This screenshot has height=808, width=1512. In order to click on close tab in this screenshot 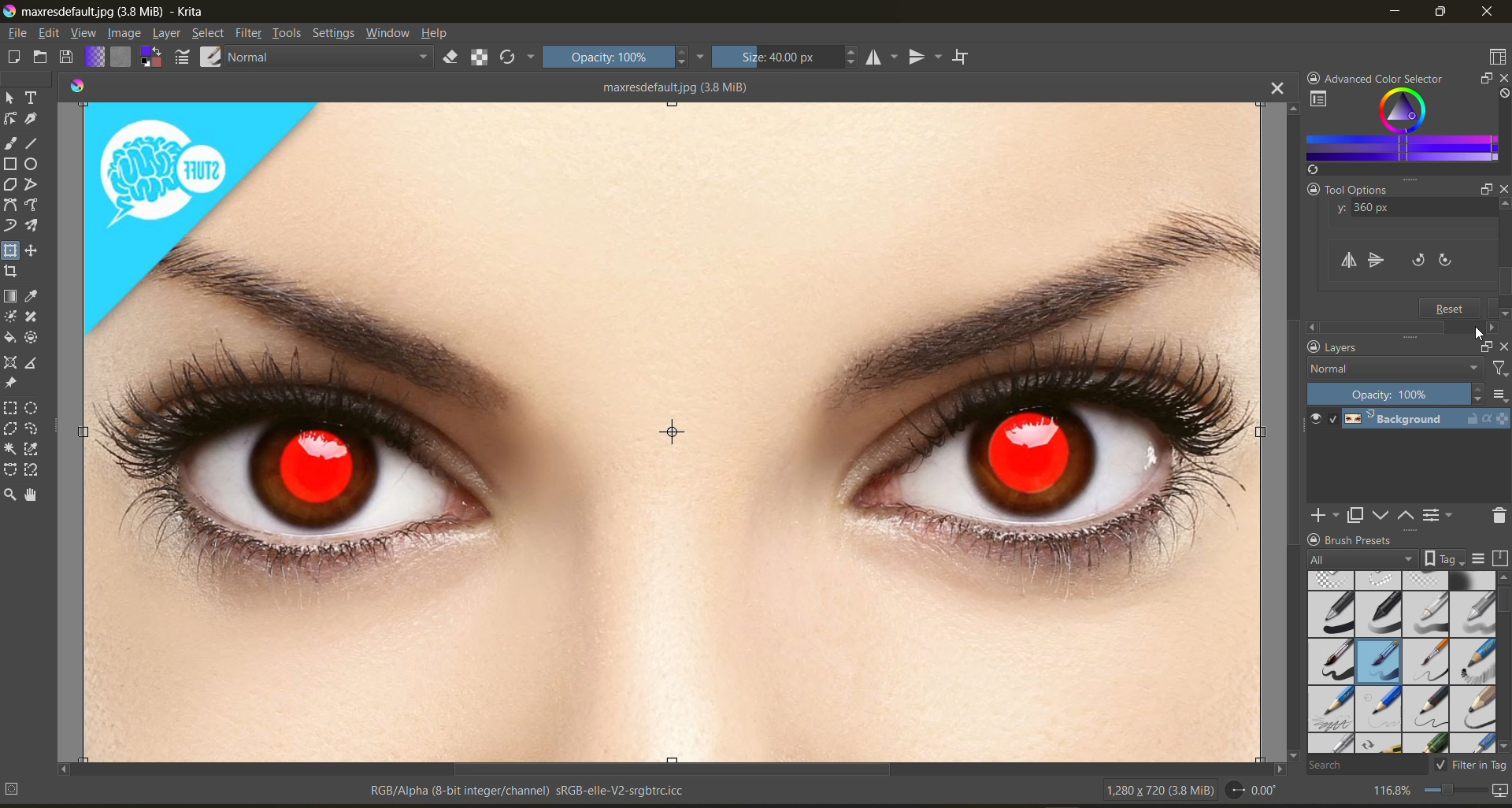, I will do `click(1273, 90)`.